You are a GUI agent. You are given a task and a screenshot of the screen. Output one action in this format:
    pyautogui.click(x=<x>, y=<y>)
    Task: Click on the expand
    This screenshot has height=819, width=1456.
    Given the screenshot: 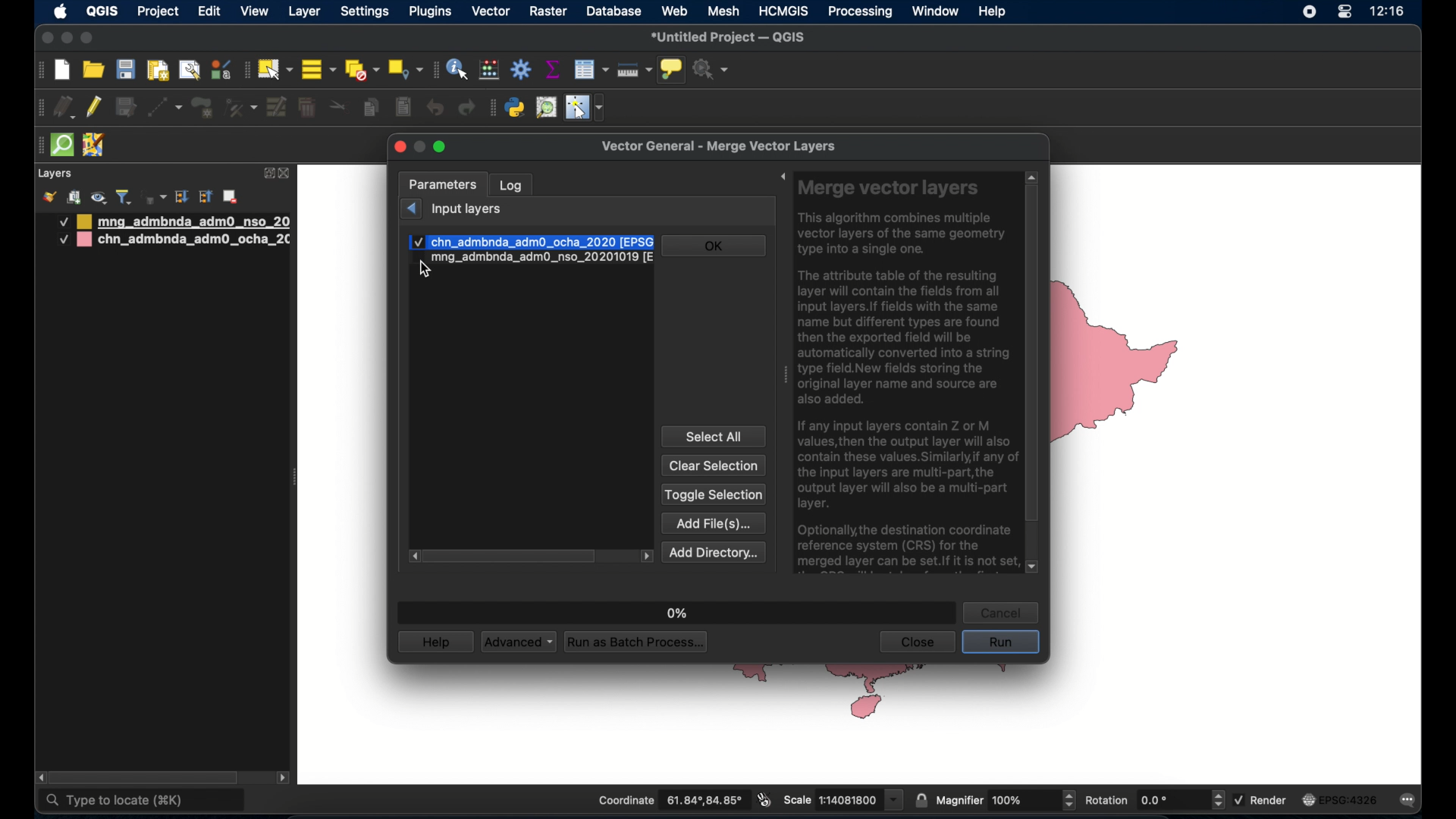 What is the action you would take?
    pyautogui.click(x=778, y=178)
    